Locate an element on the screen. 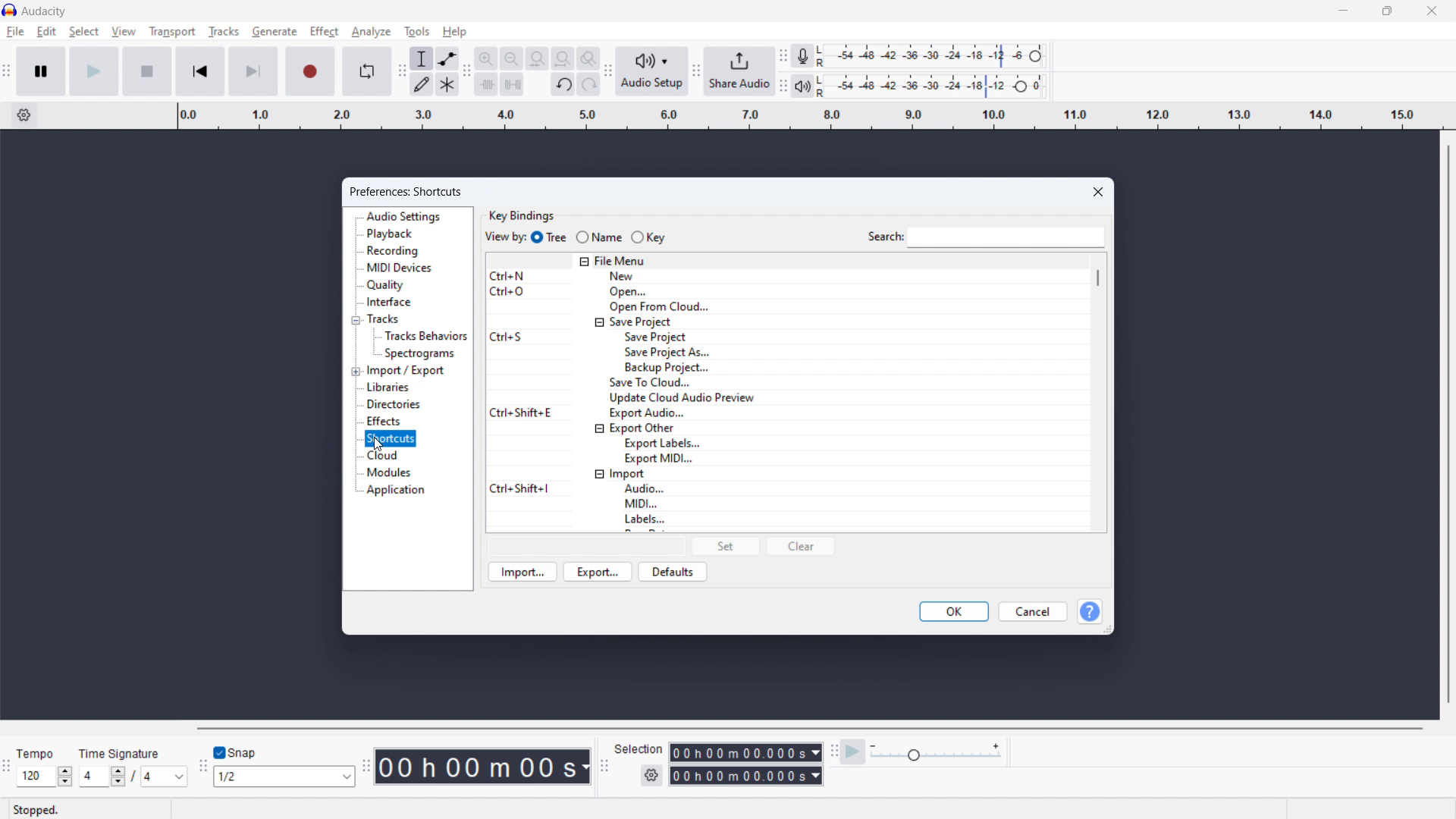  edit is located at coordinates (47, 31).